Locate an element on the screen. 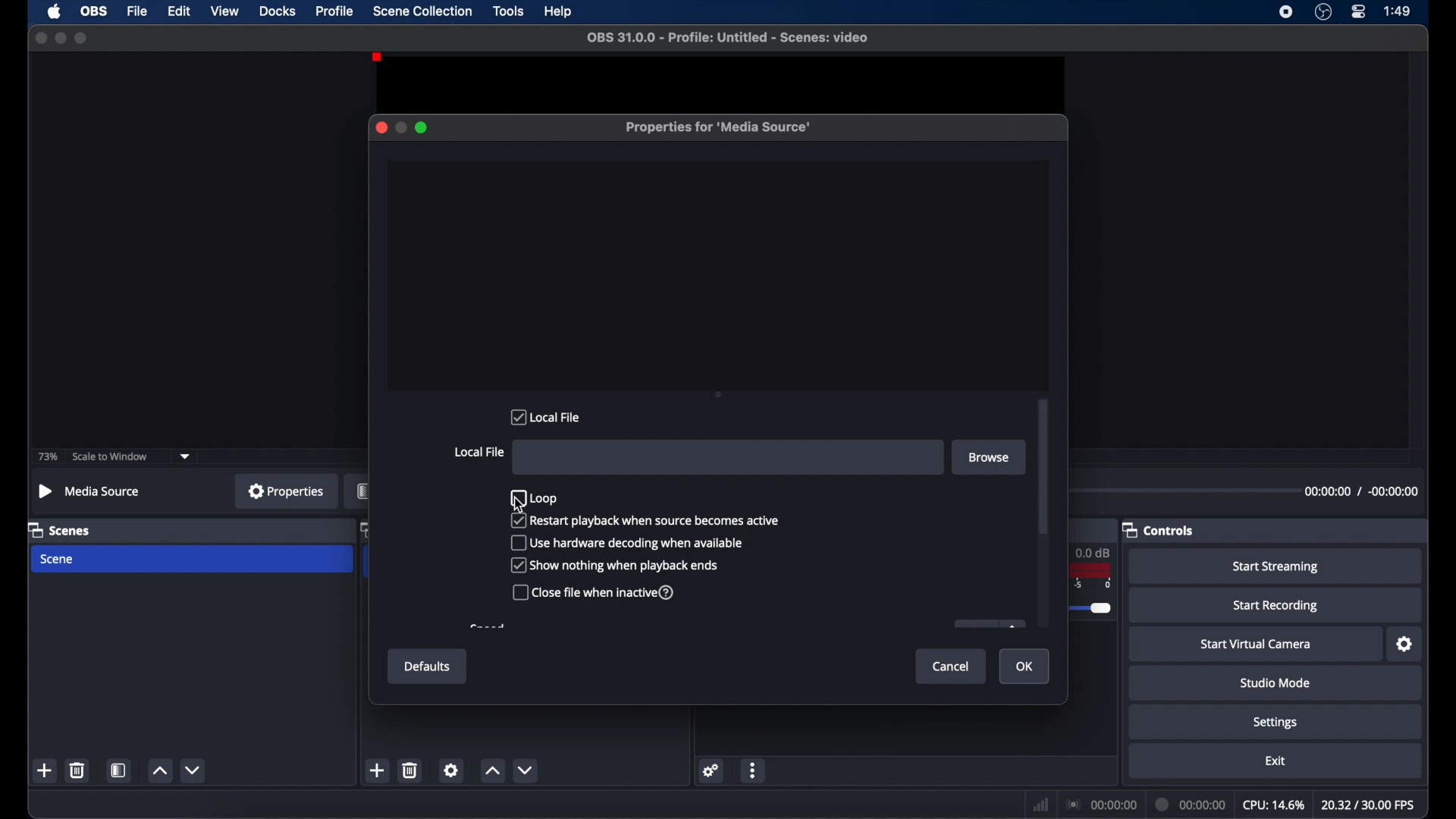 The height and width of the screenshot is (819, 1456). ok is located at coordinates (1027, 667).